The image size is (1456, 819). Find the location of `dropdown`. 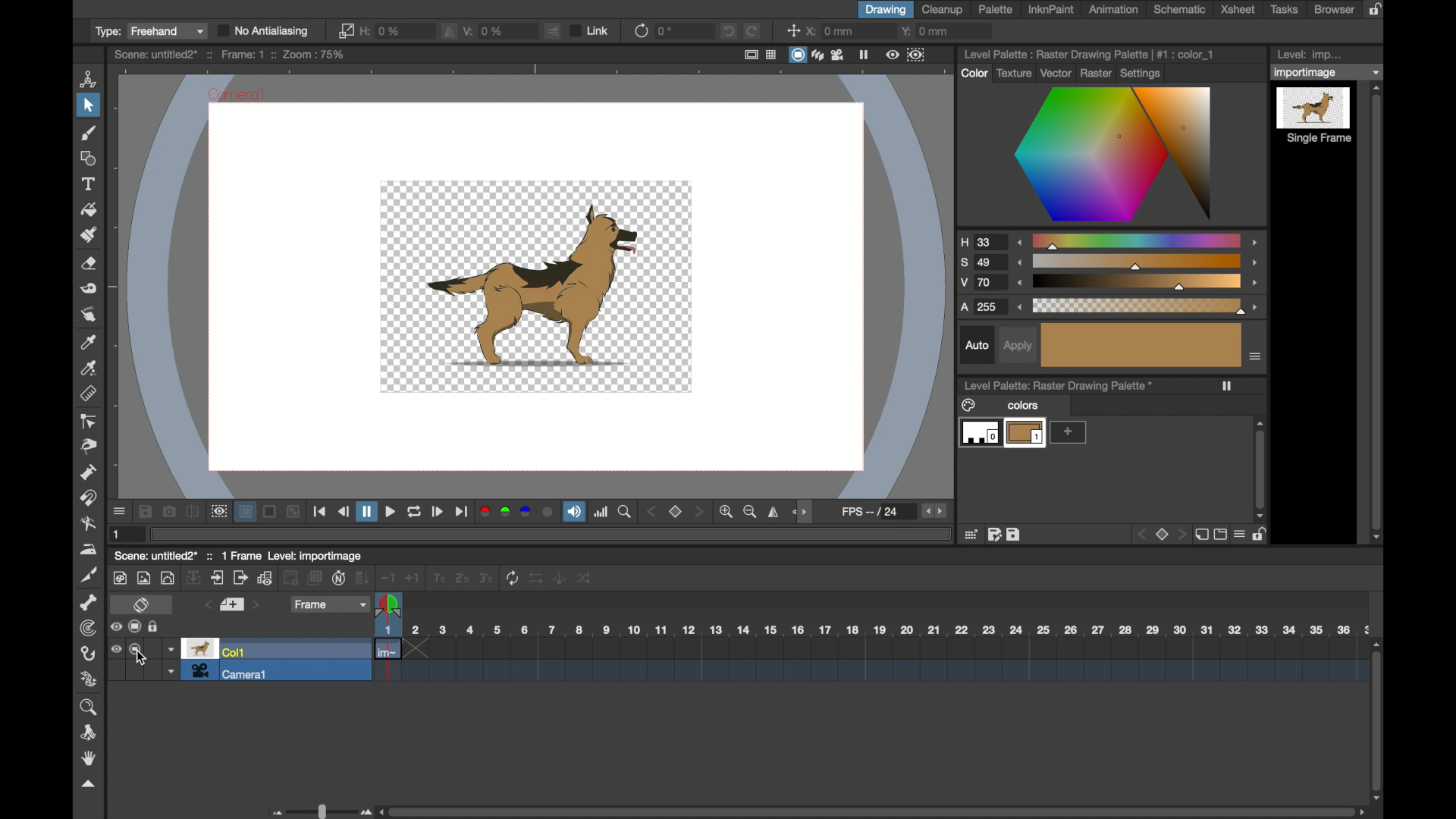

dropdown is located at coordinates (1328, 72).